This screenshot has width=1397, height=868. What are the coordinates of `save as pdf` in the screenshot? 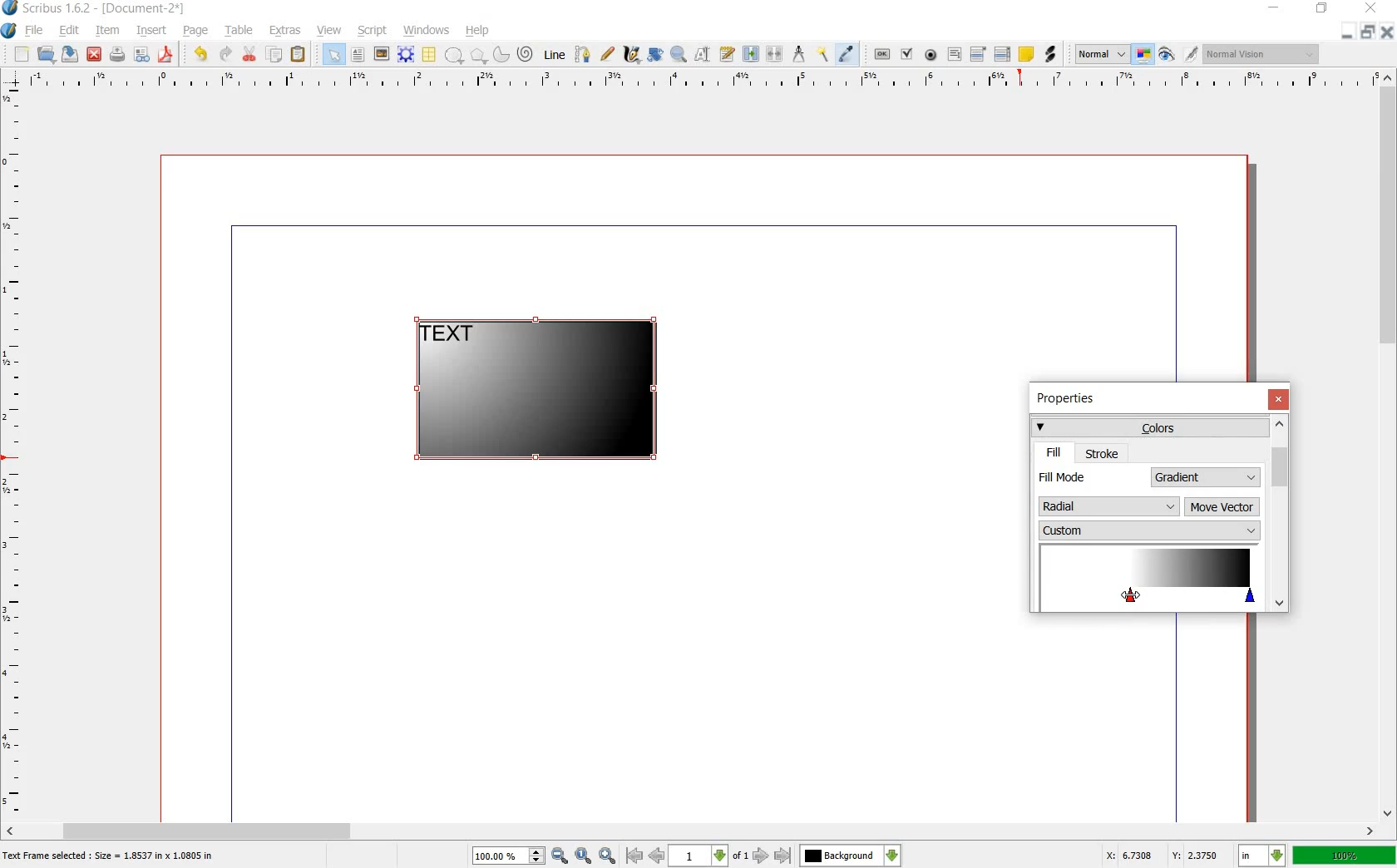 It's located at (165, 55).